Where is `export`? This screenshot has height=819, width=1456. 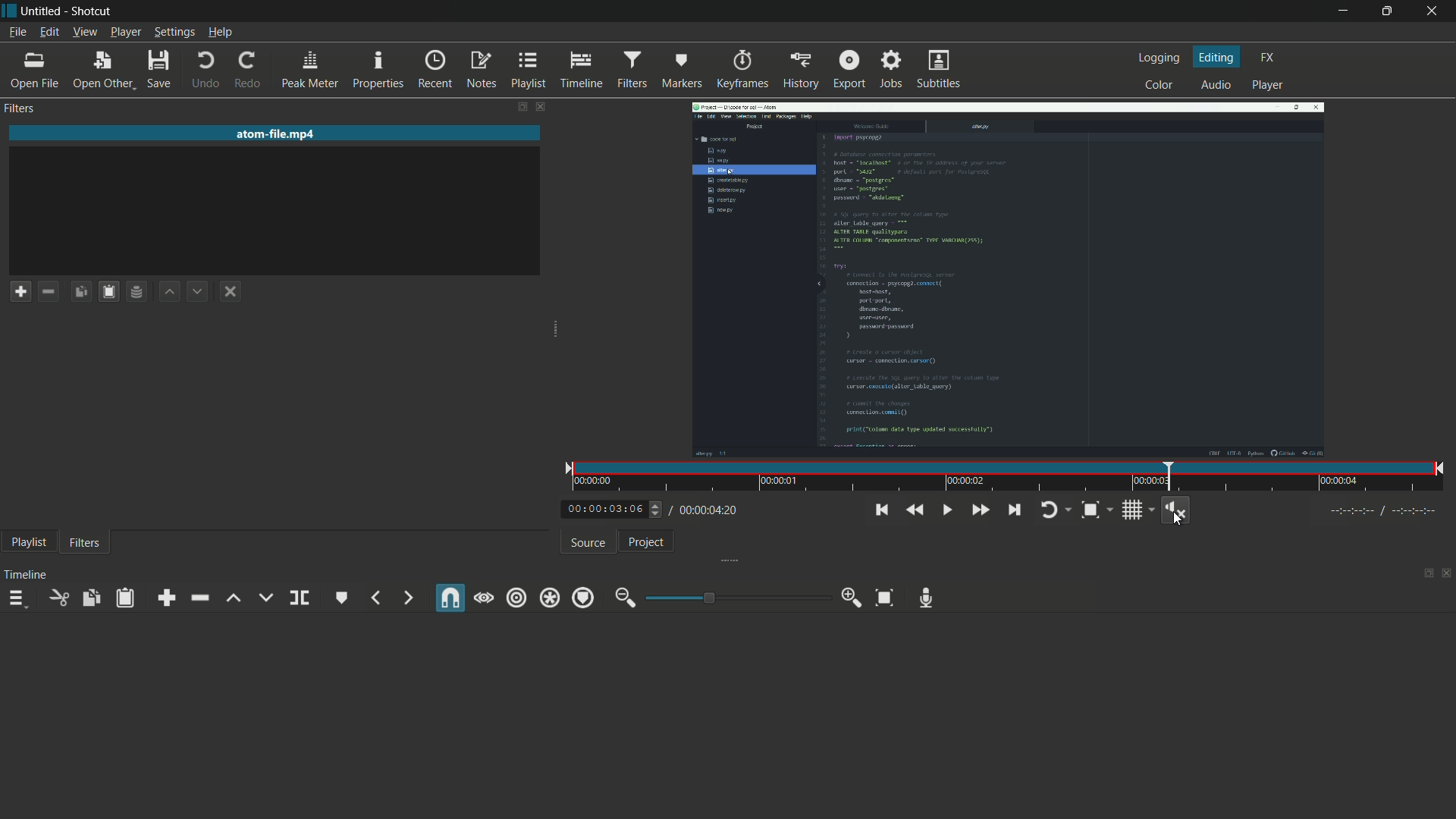
export is located at coordinates (849, 69).